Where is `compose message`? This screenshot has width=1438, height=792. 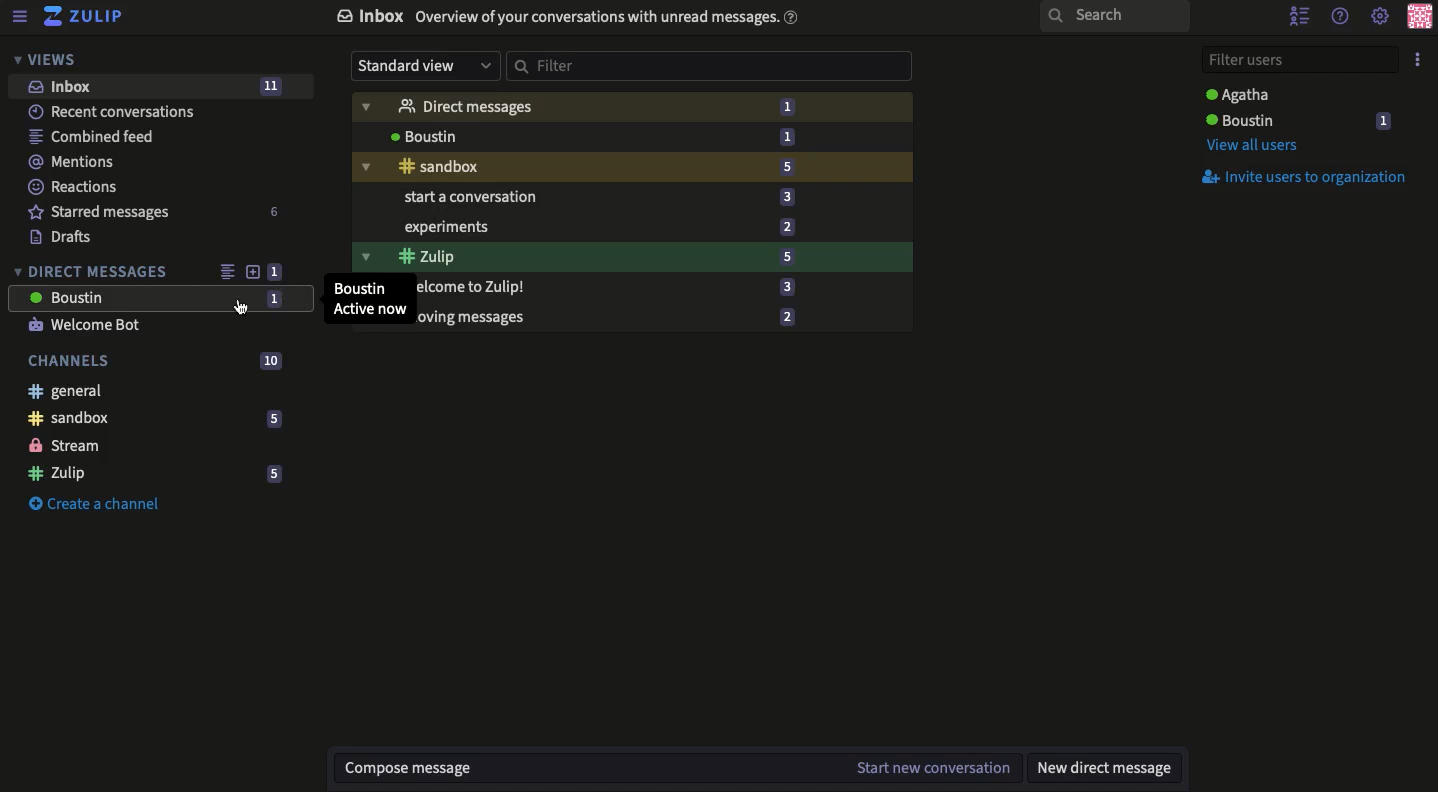
compose message is located at coordinates (592, 766).